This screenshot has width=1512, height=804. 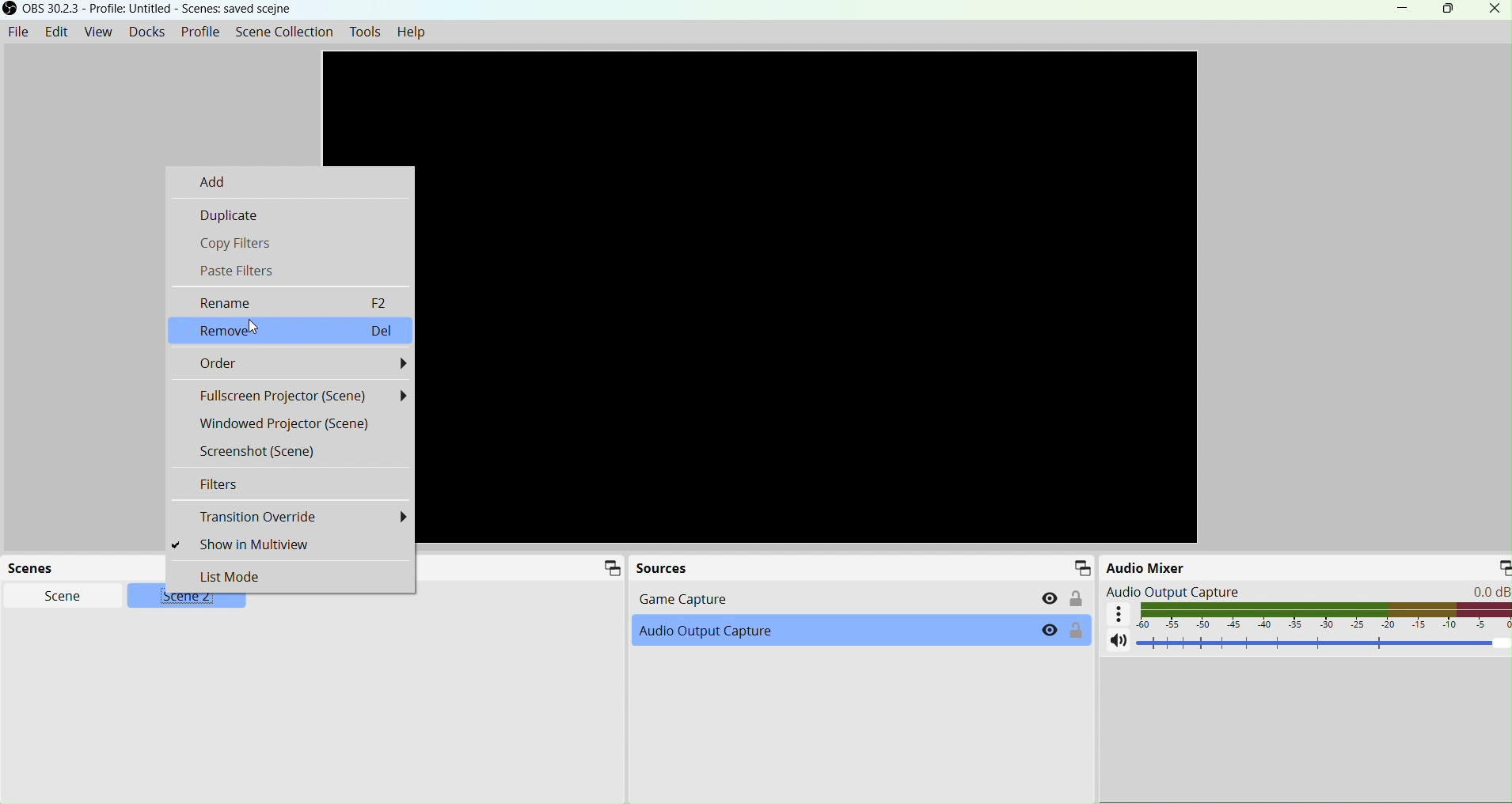 I want to click on Hide, so click(x=1050, y=597).